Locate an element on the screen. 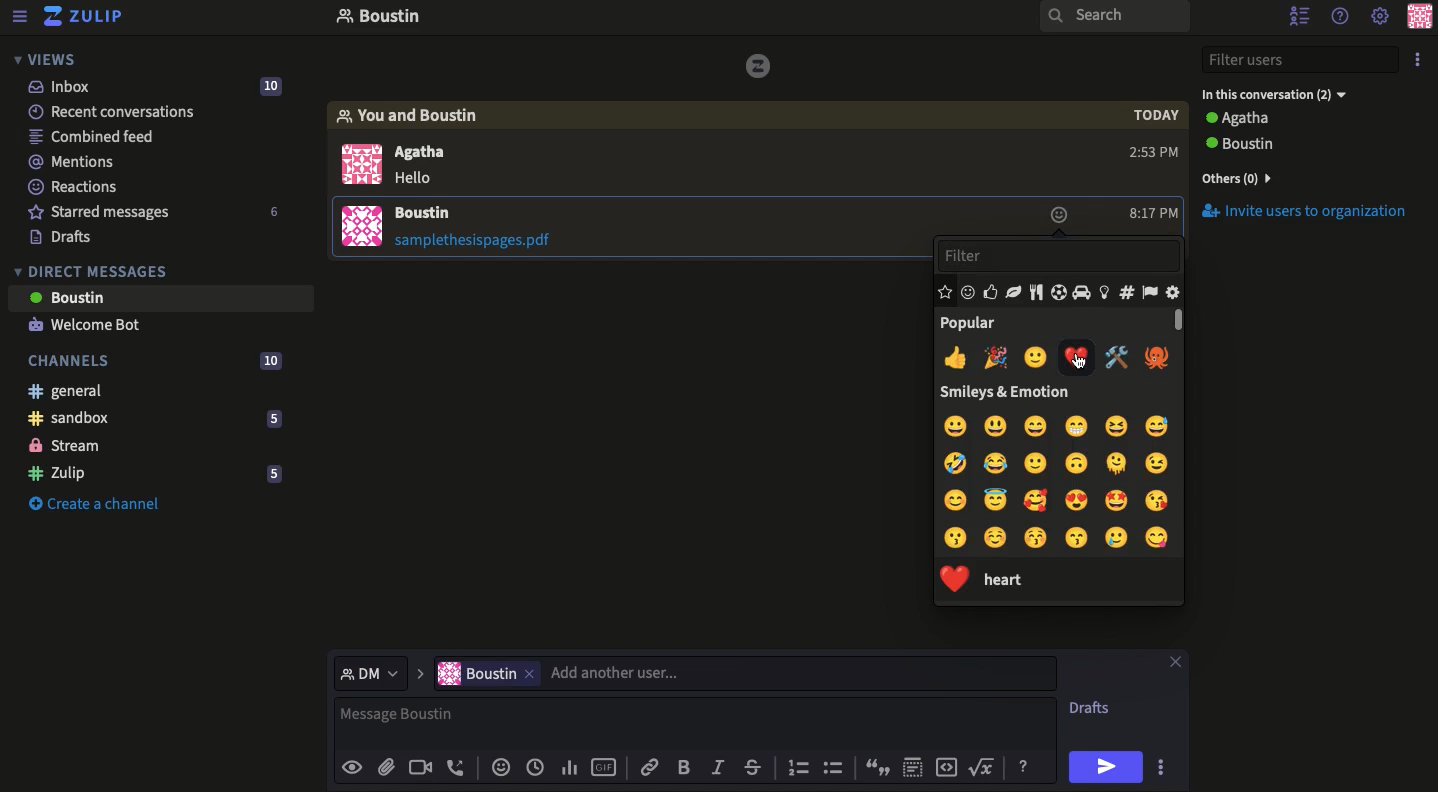 The height and width of the screenshot is (792, 1438). smiley is located at coordinates (996, 427).